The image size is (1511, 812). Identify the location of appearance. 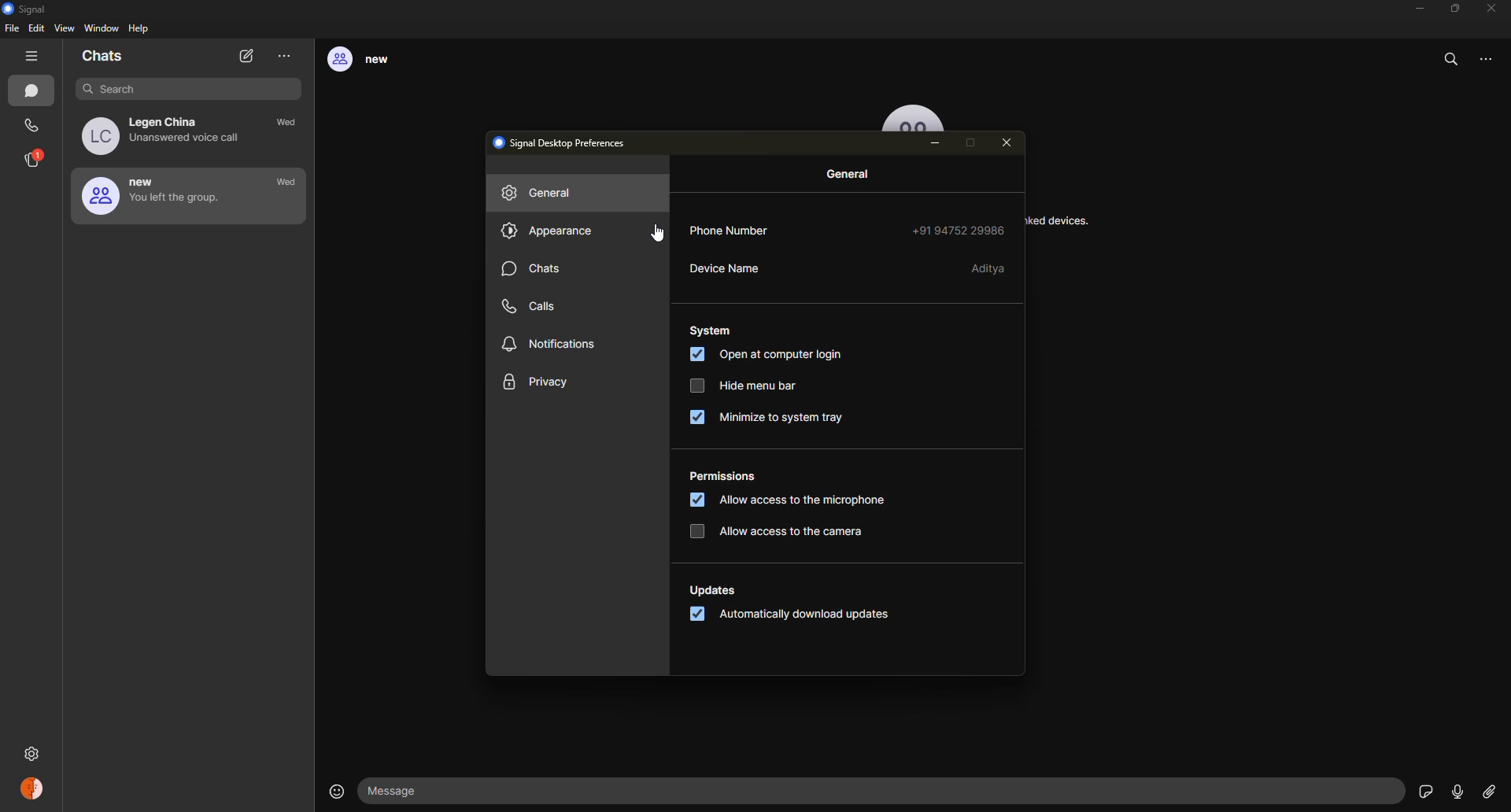
(549, 232).